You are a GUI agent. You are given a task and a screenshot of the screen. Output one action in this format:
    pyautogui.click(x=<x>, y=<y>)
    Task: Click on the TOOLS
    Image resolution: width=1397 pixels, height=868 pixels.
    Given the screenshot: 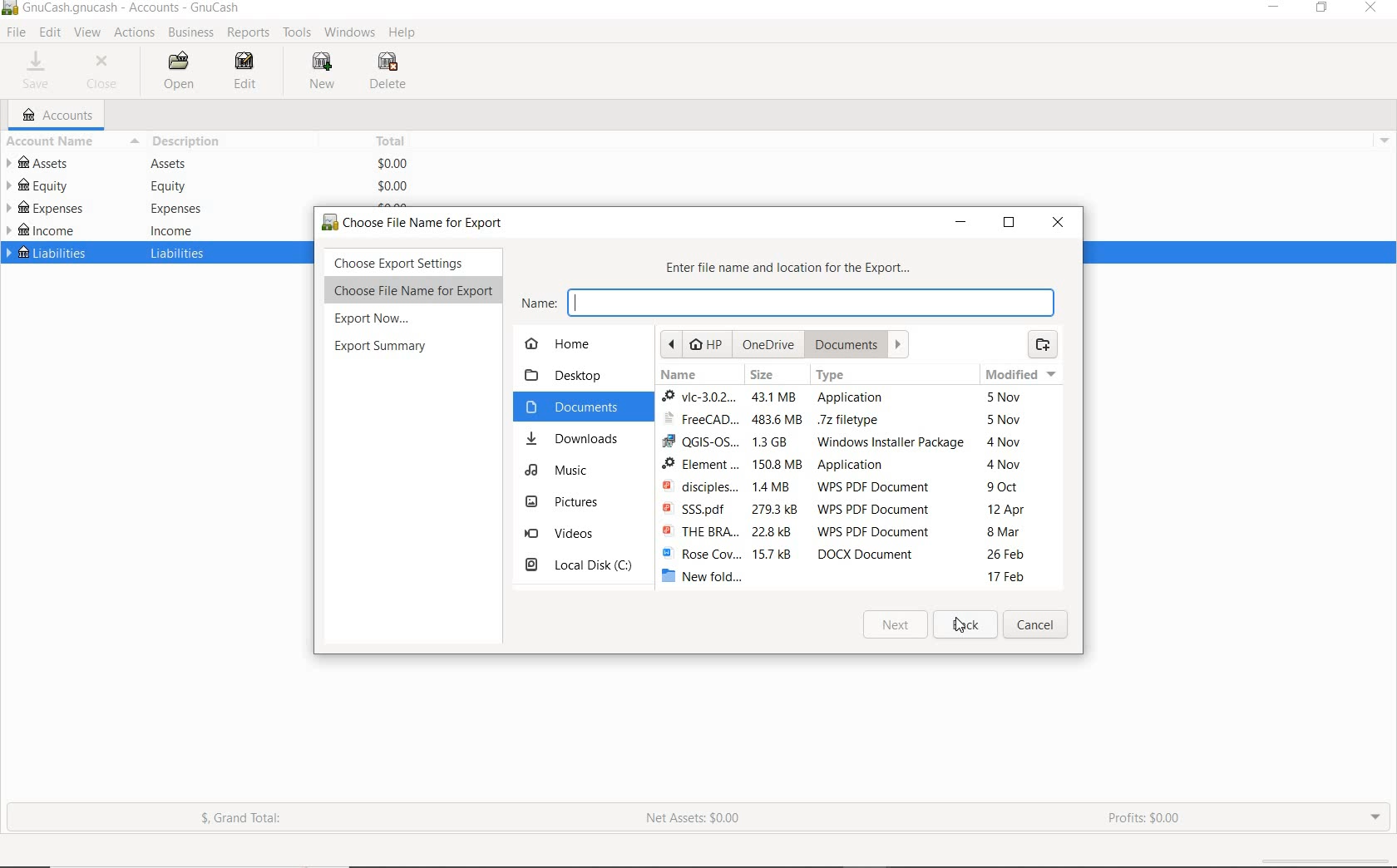 What is the action you would take?
    pyautogui.click(x=298, y=33)
    